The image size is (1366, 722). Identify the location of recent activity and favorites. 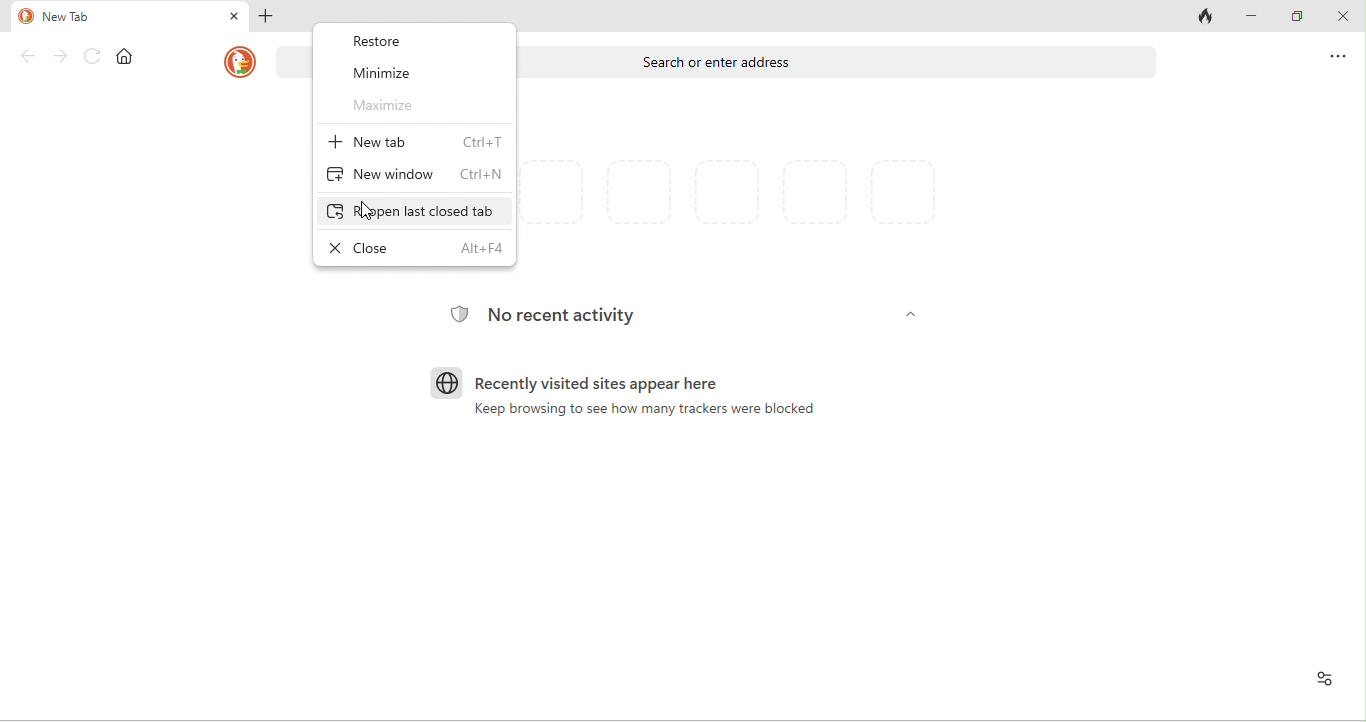
(1322, 679).